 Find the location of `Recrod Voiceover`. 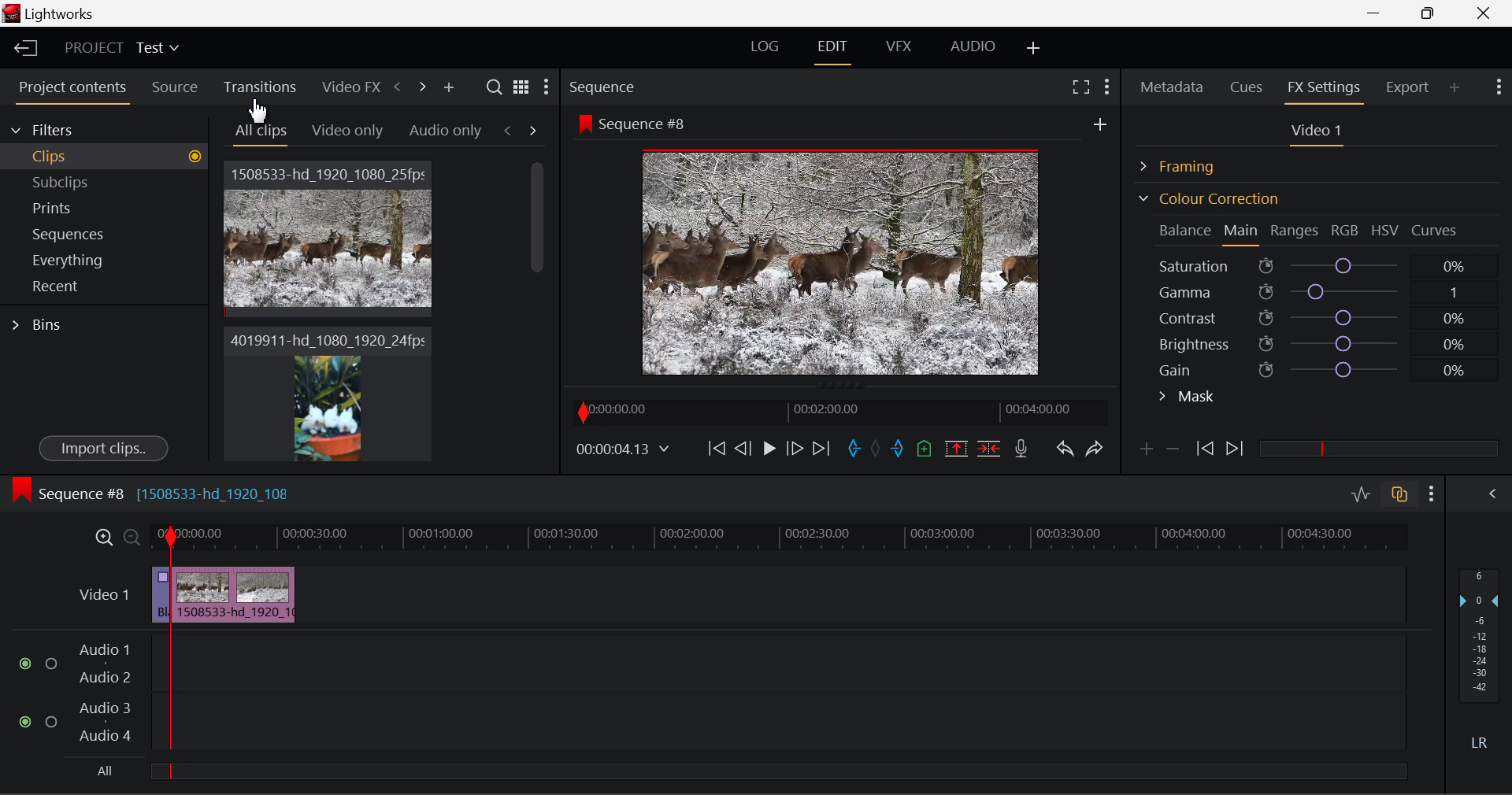

Recrod Voiceover is located at coordinates (1021, 448).